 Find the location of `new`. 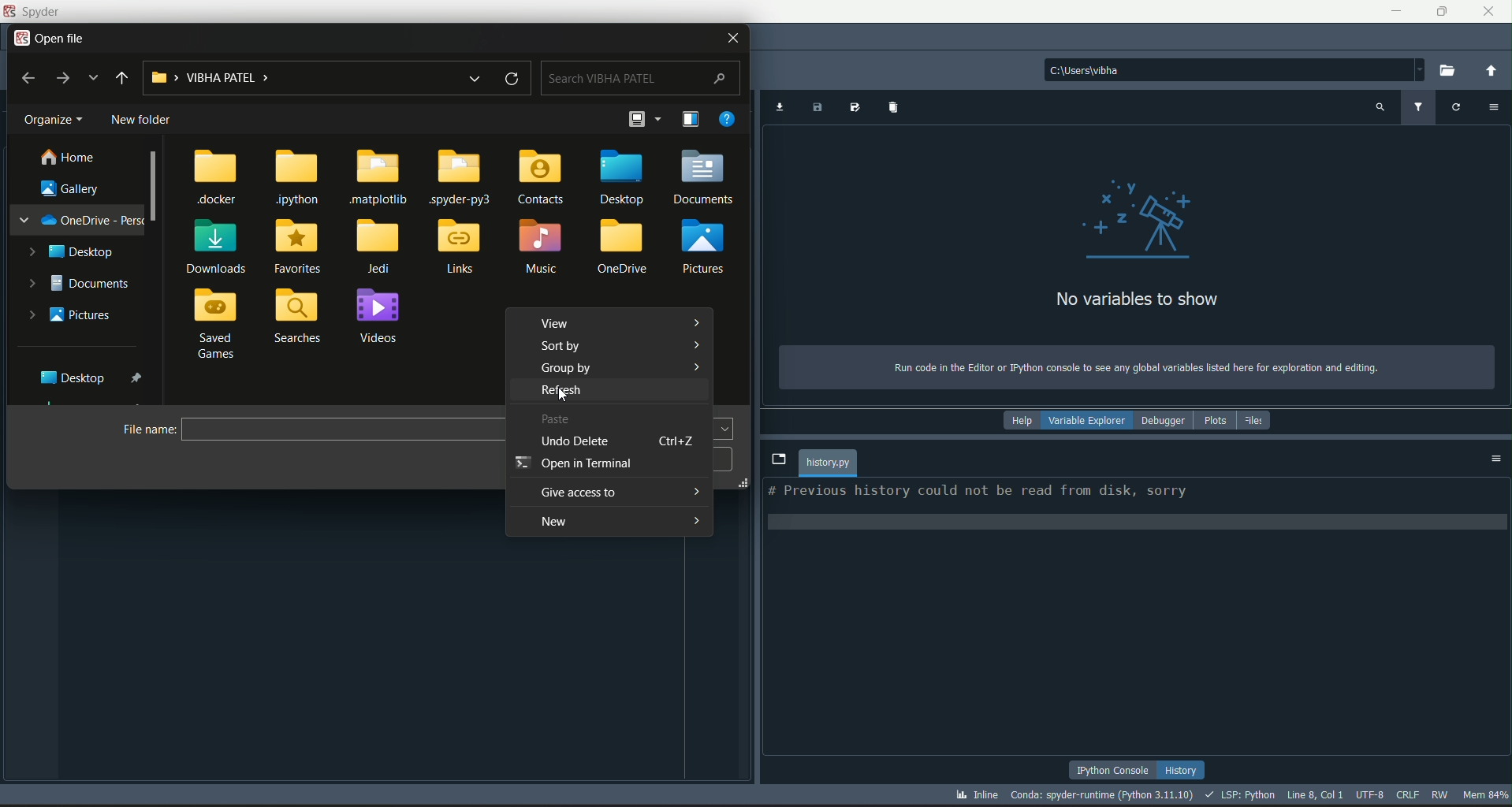

new is located at coordinates (552, 523).